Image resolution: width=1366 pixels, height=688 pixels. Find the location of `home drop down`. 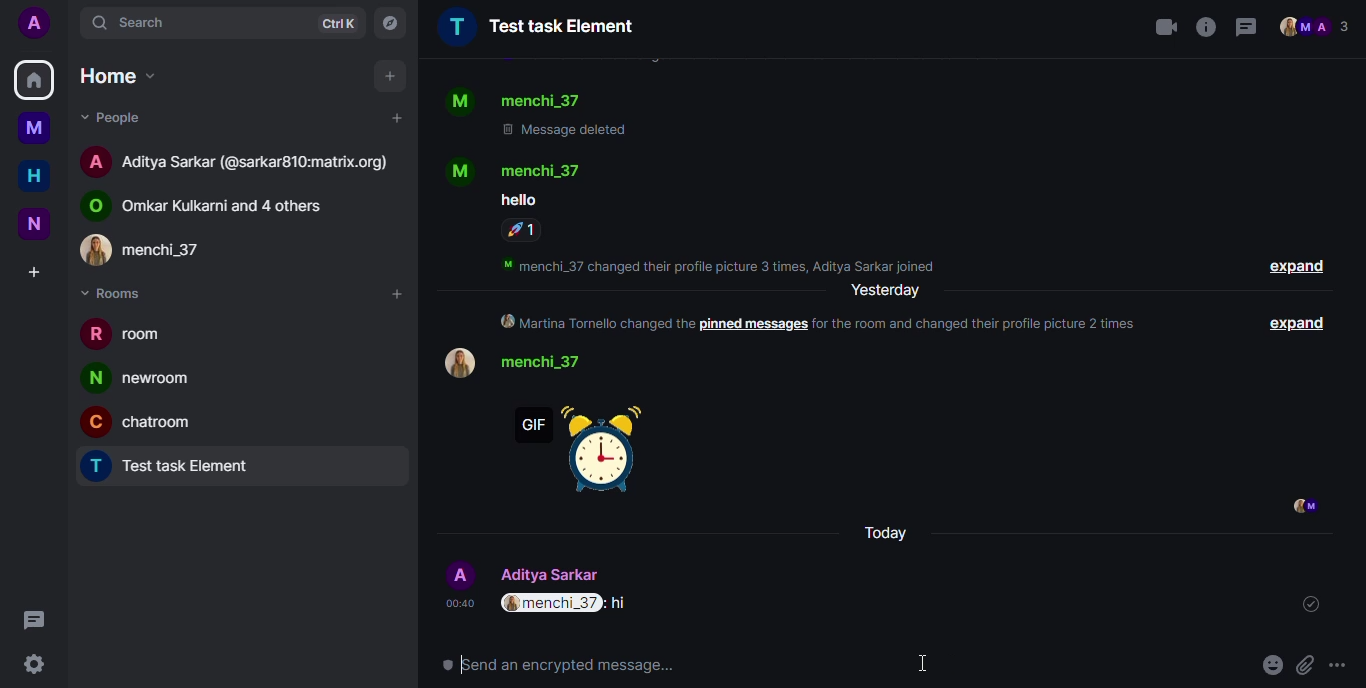

home drop down is located at coordinates (114, 76).